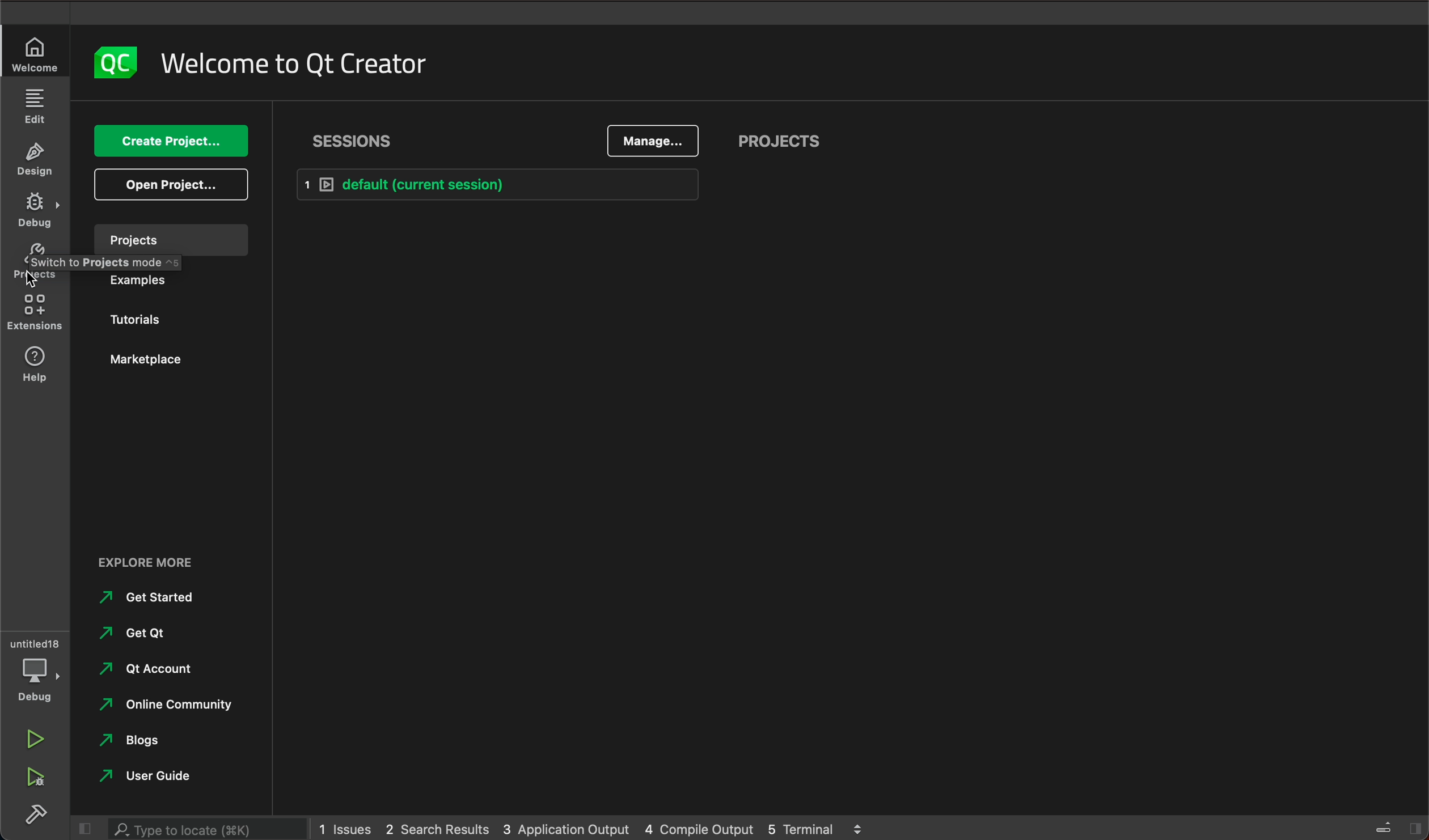  What do you see at coordinates (37, 315) in the screenshot?
I see `extensions` at bounding box center [37, 315].